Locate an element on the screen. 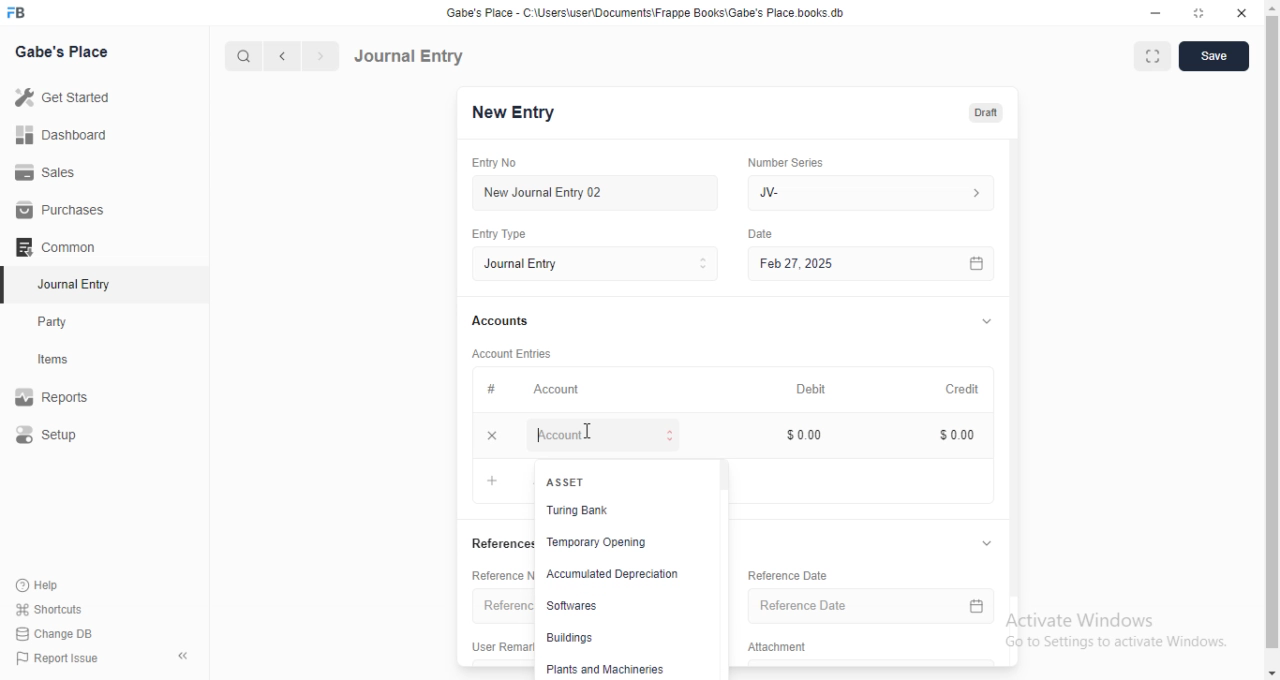  Search is located at coordinates (239, 56).